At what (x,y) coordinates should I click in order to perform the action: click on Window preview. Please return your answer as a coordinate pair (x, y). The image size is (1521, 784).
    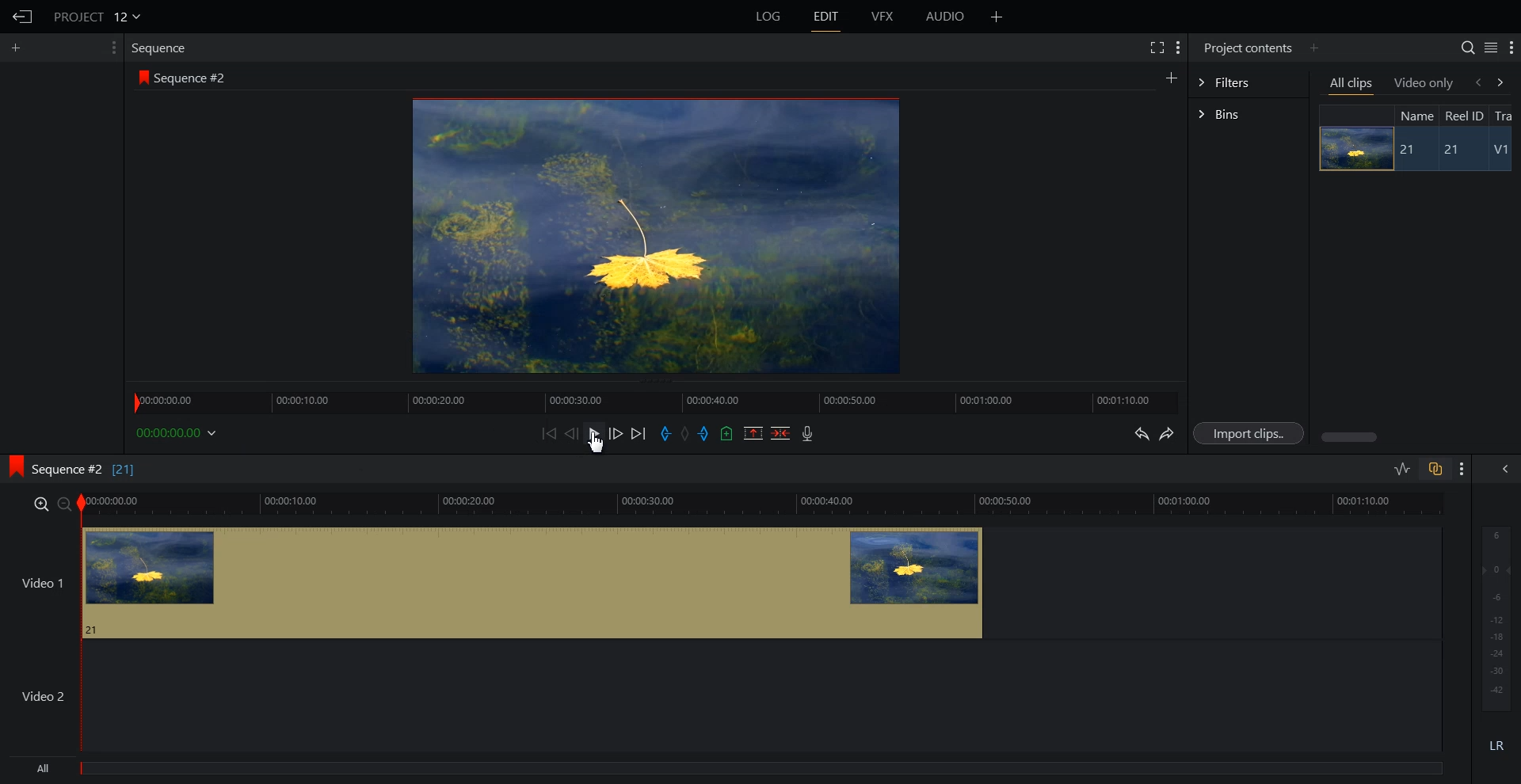
    Looking at the image, I should click on (651, 234).